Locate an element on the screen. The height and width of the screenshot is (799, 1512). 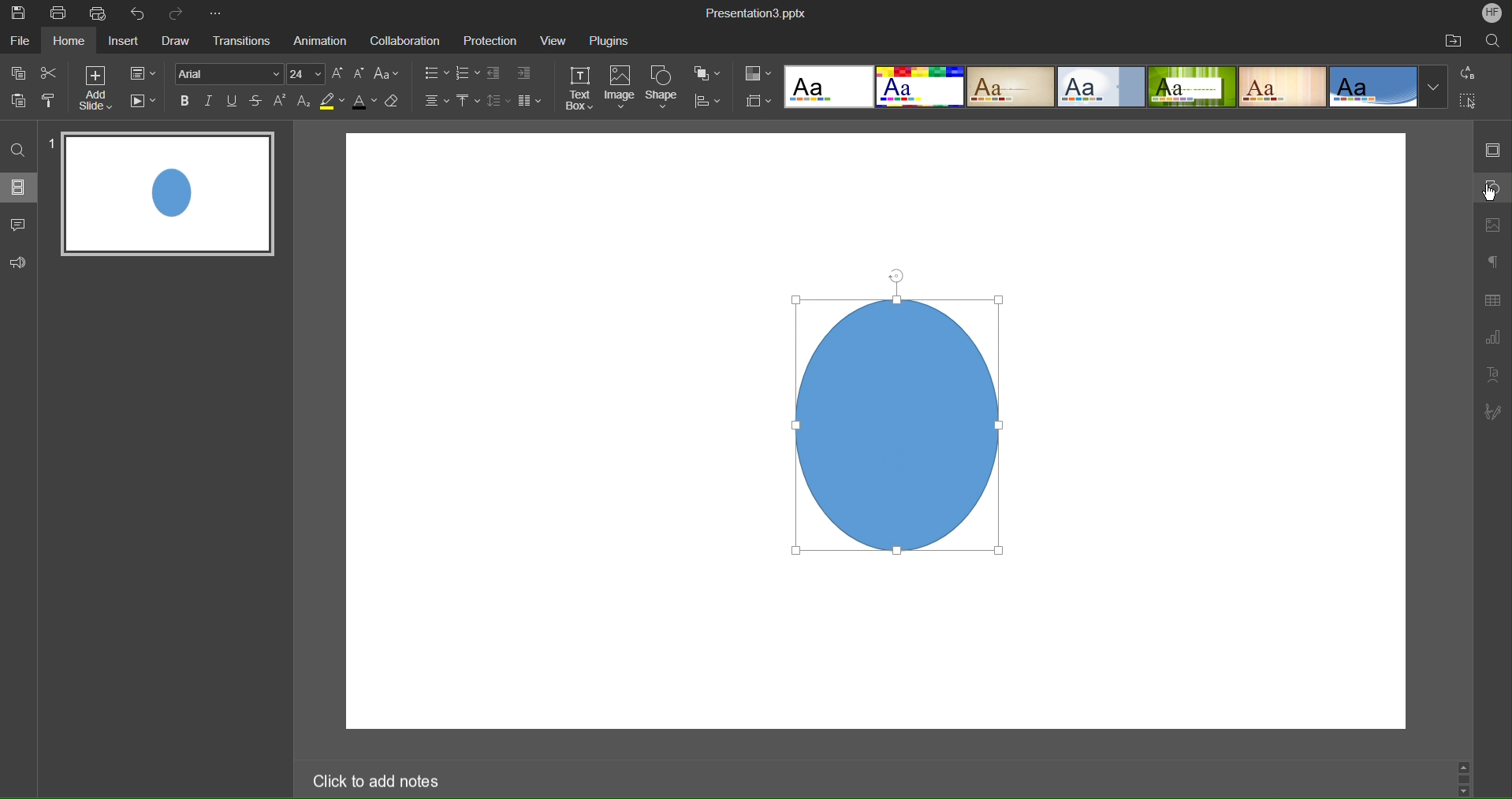
Superscript is located at coordinates (280, 103).